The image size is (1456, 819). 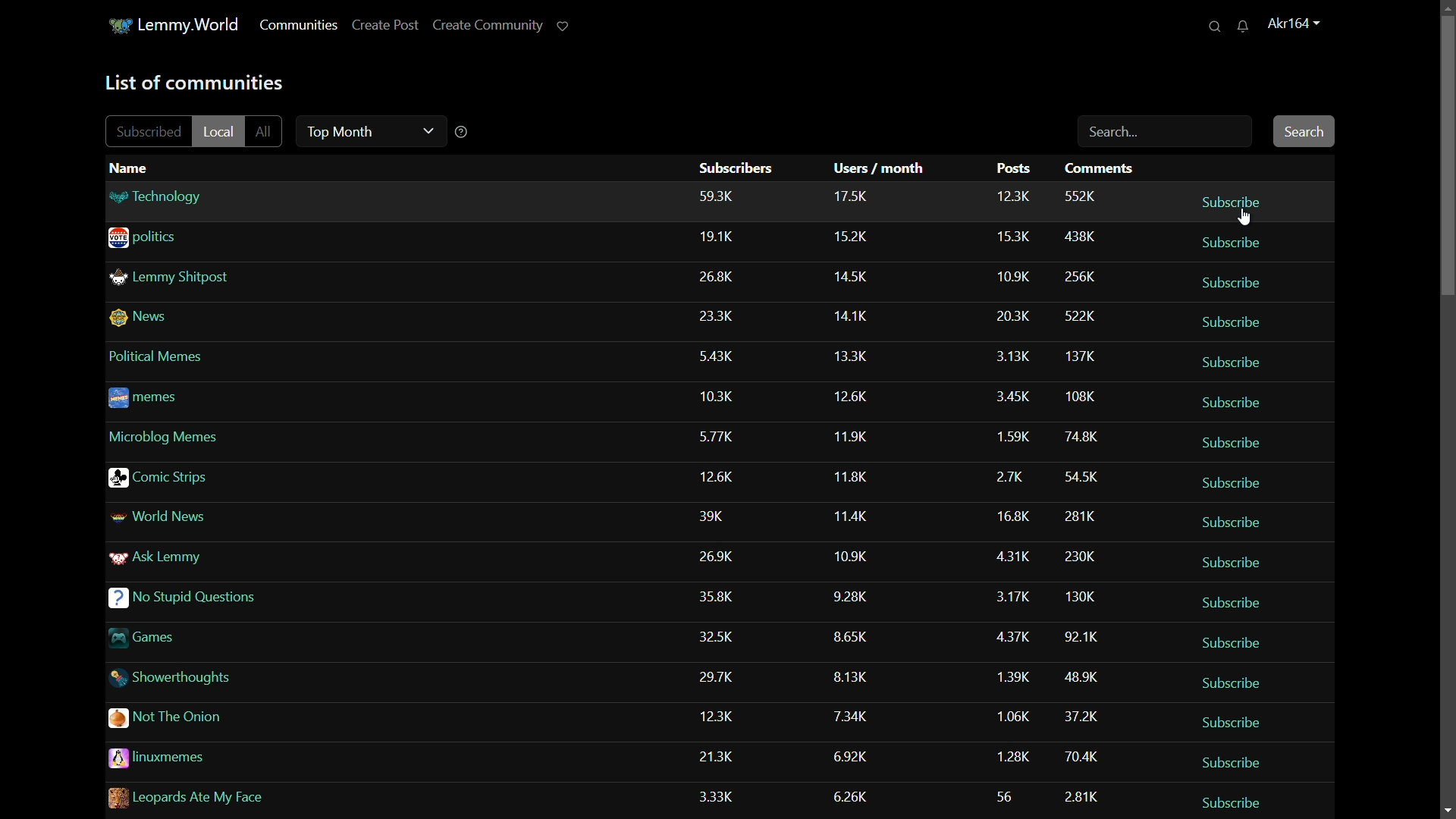 What do you see at coordinates (1233, 440) in the screenshot?
I see `subscribe/unsubscribe` at bounding box center [1233, 440].